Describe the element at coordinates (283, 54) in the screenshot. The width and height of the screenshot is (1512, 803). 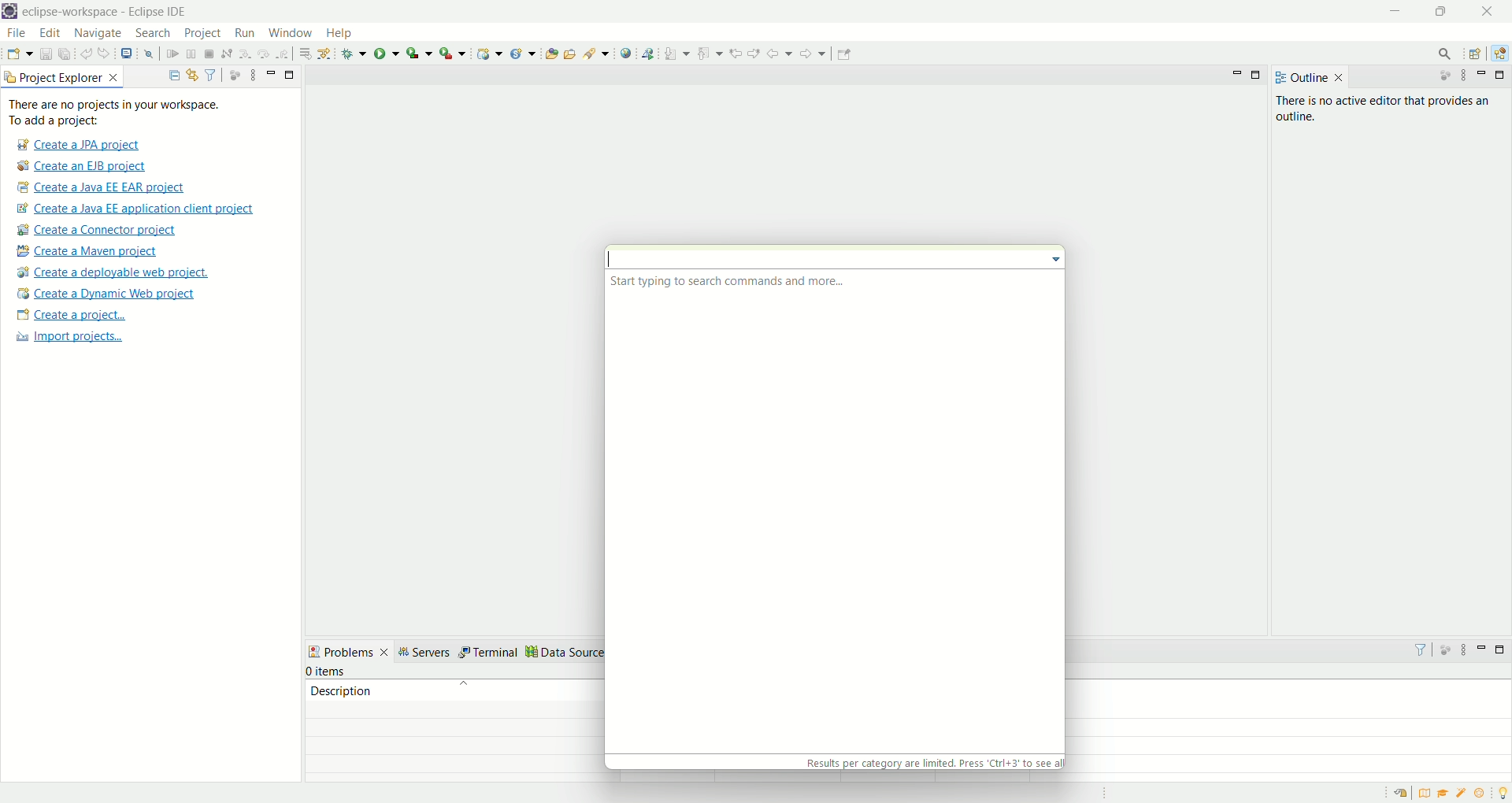
I see `step return` at that location.